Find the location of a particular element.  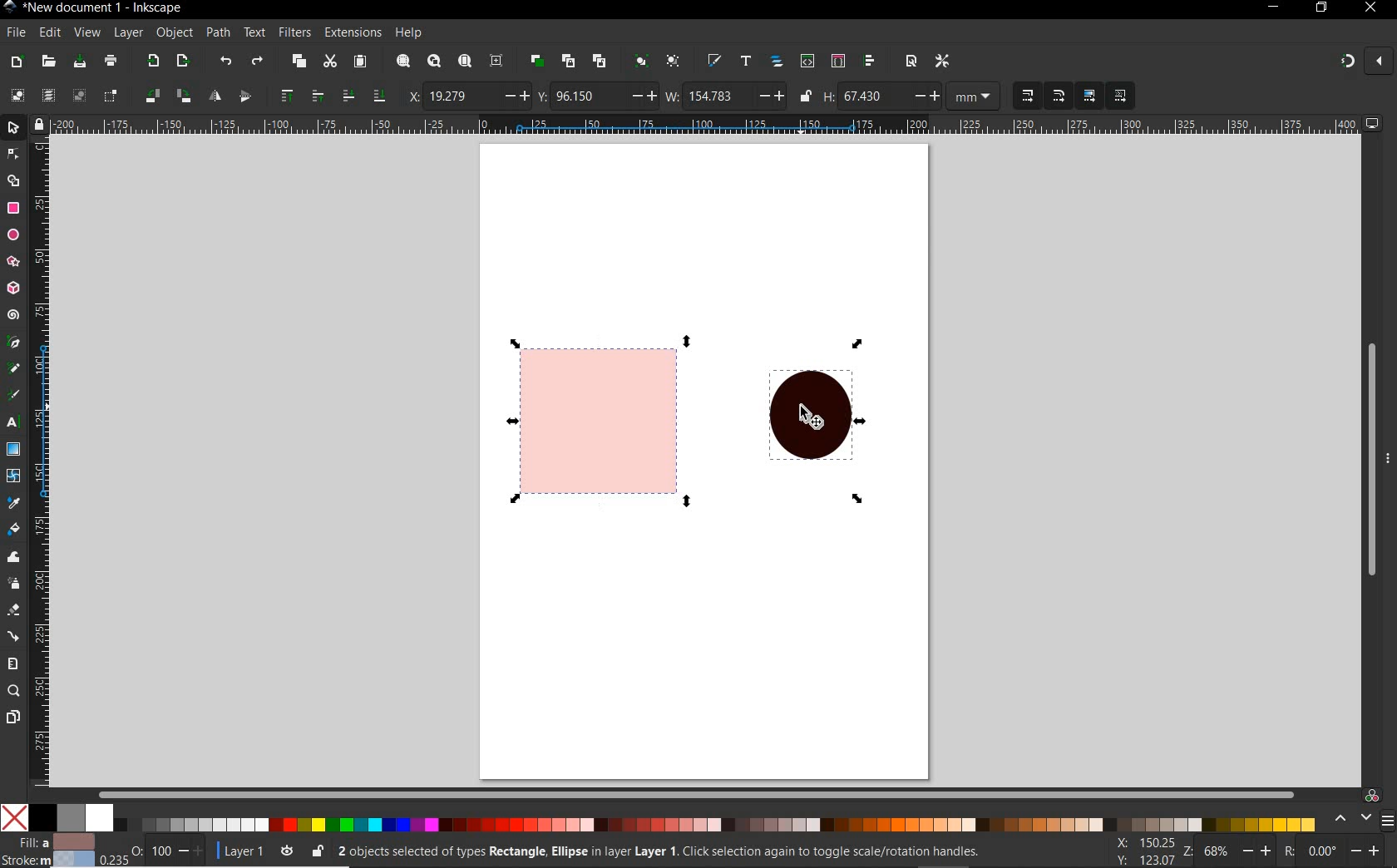

when scaling objects is located at coordinates (1027, 96).